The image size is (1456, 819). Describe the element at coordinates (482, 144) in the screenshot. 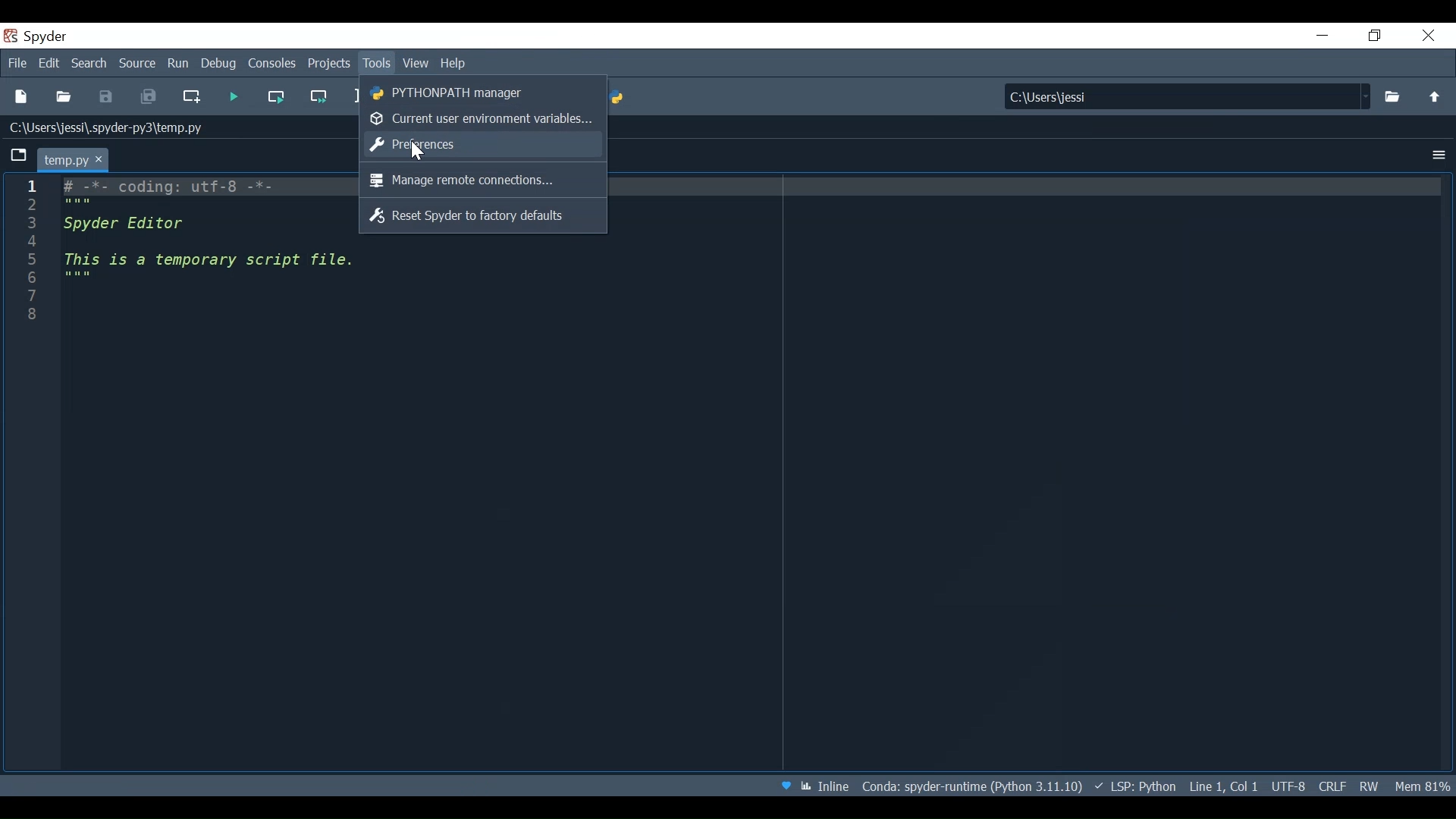

I see `Preferences` at that location.